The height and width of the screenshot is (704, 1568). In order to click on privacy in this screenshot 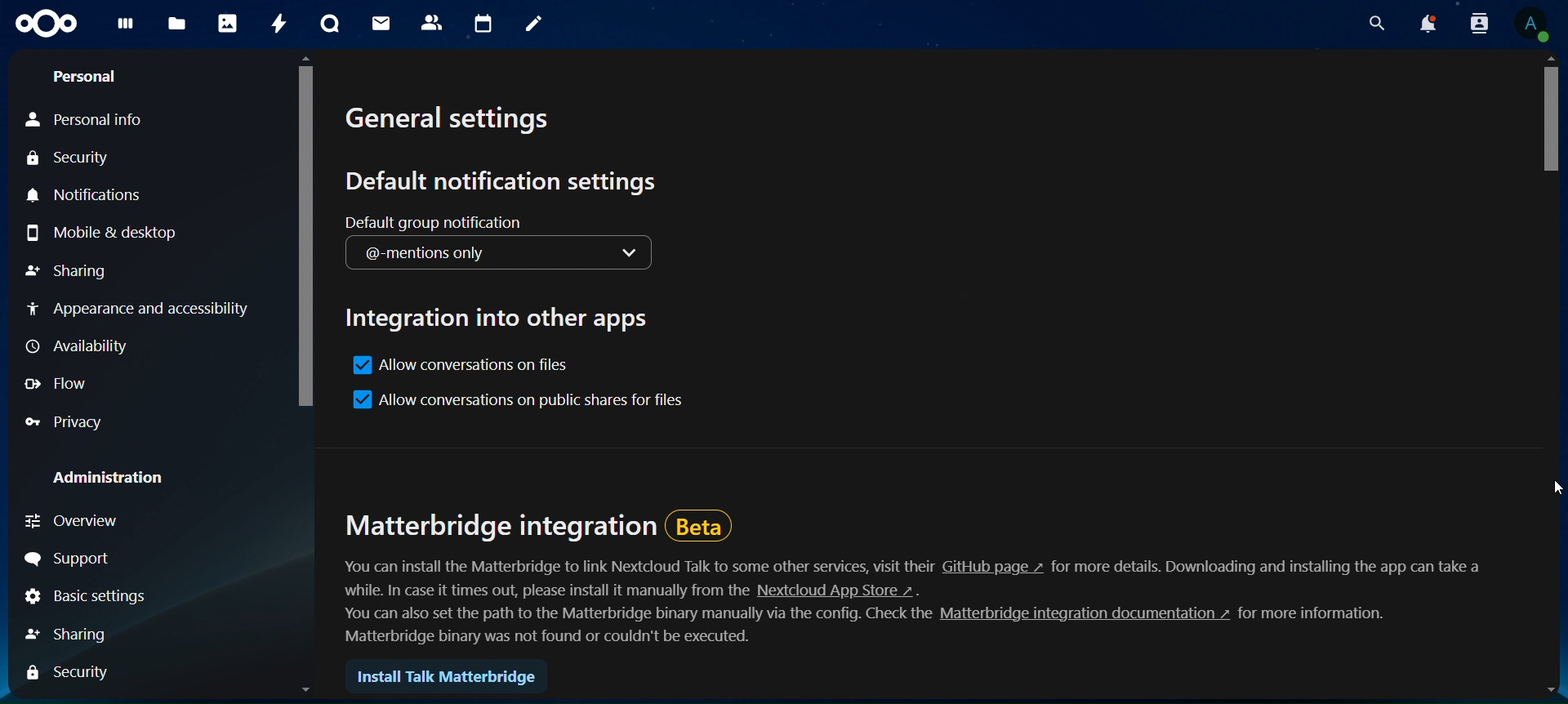, I will do `click(74, 423)`.